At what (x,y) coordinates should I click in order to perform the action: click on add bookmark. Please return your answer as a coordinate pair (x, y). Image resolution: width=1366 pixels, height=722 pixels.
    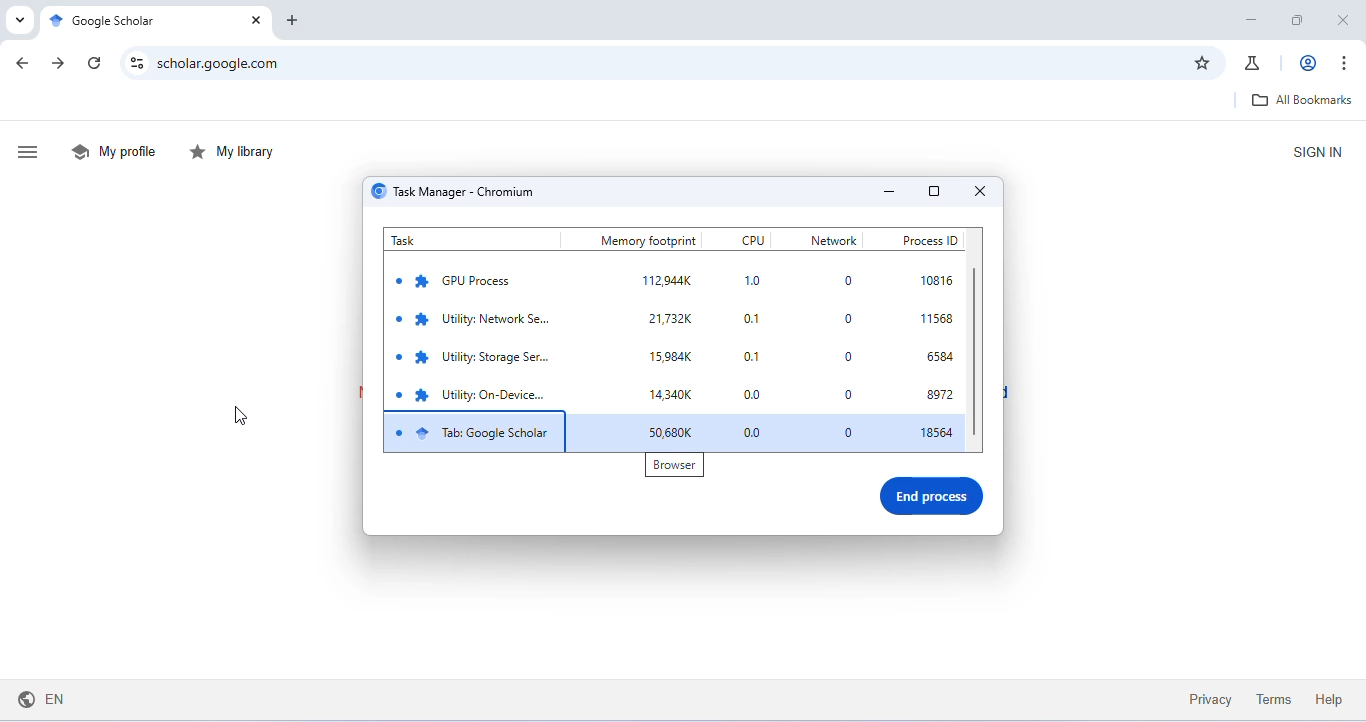
    Looking at the image, I should click on (1201, 63).